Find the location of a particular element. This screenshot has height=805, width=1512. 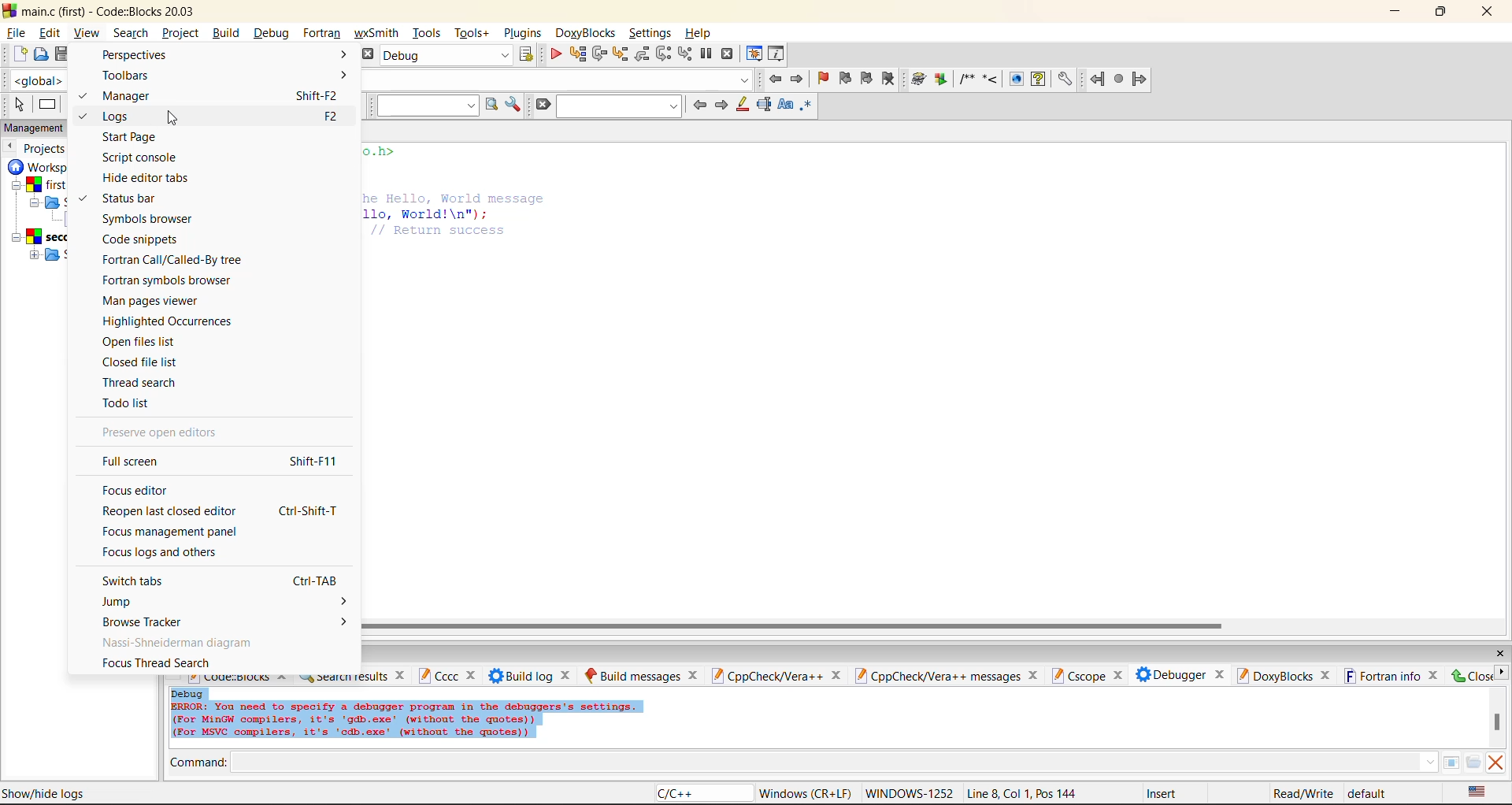

Line 8, Col 1, Pos 144 is located at coordinates (1025, 793).